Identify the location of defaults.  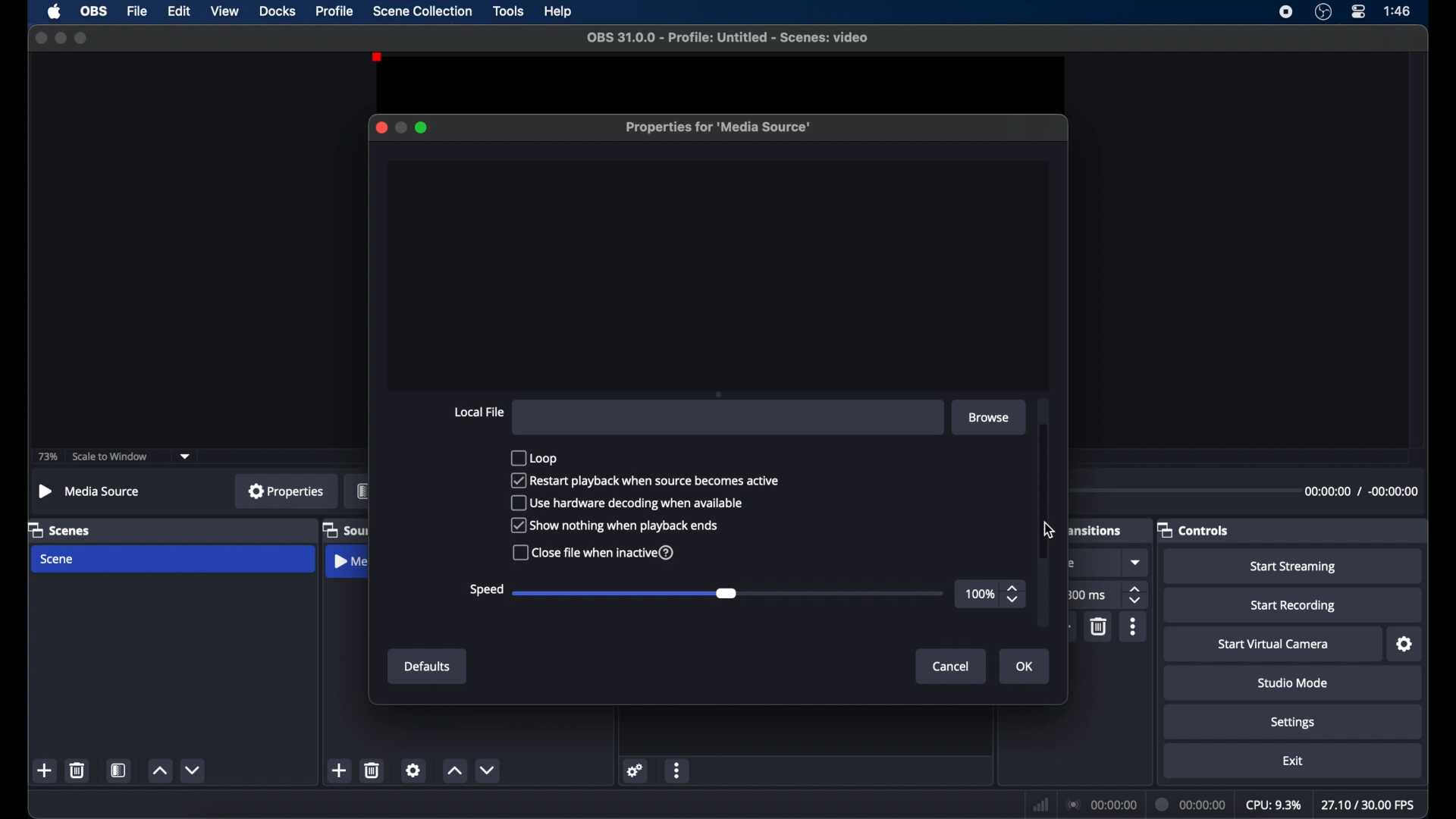
(428, 667).